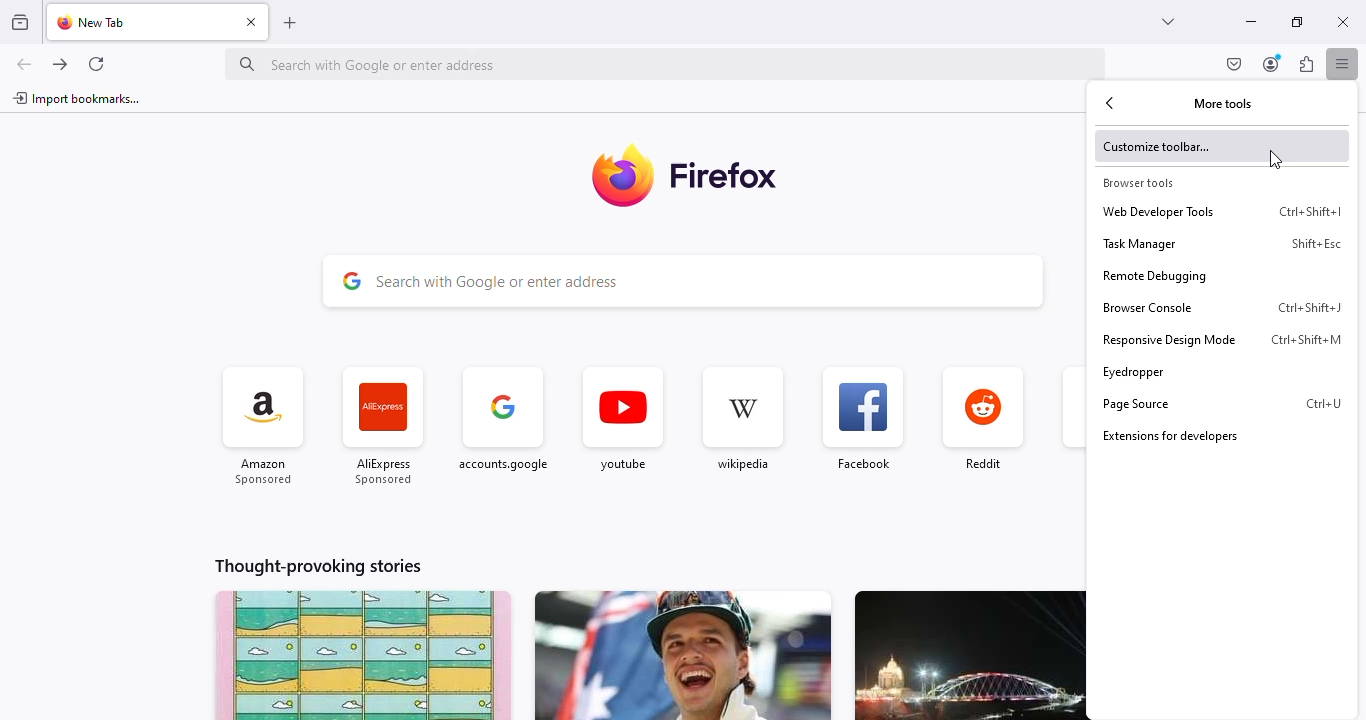 This screenshot has height=720, width=1366. What do you see at coordinates (289, 24) in the screenshot?
I see `open a new tab` at bounding box center [289, 24].